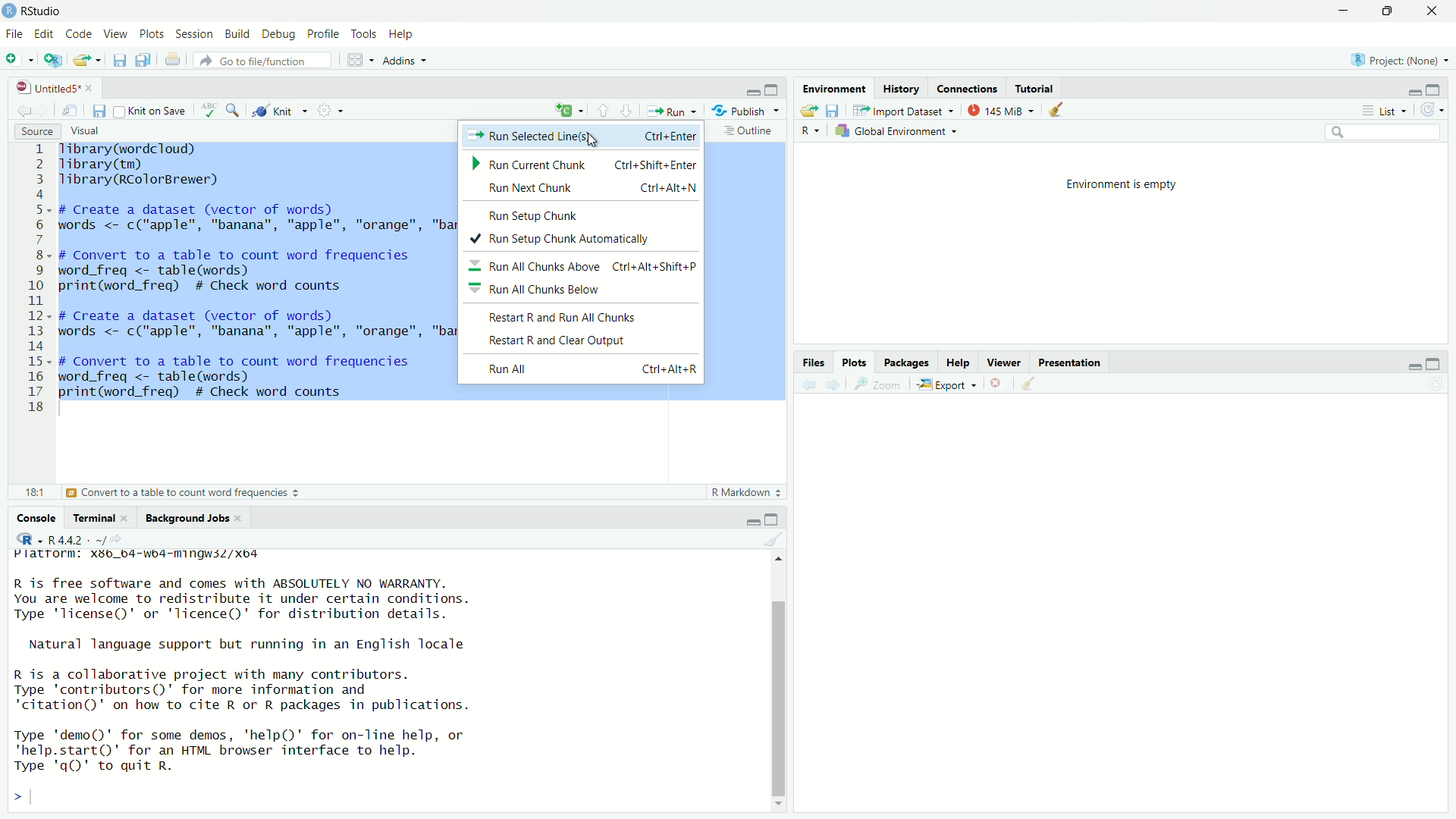 Image resolution: width=1456 pixels, height=819 pixels. I want to click on Plots, so click(855, 362).